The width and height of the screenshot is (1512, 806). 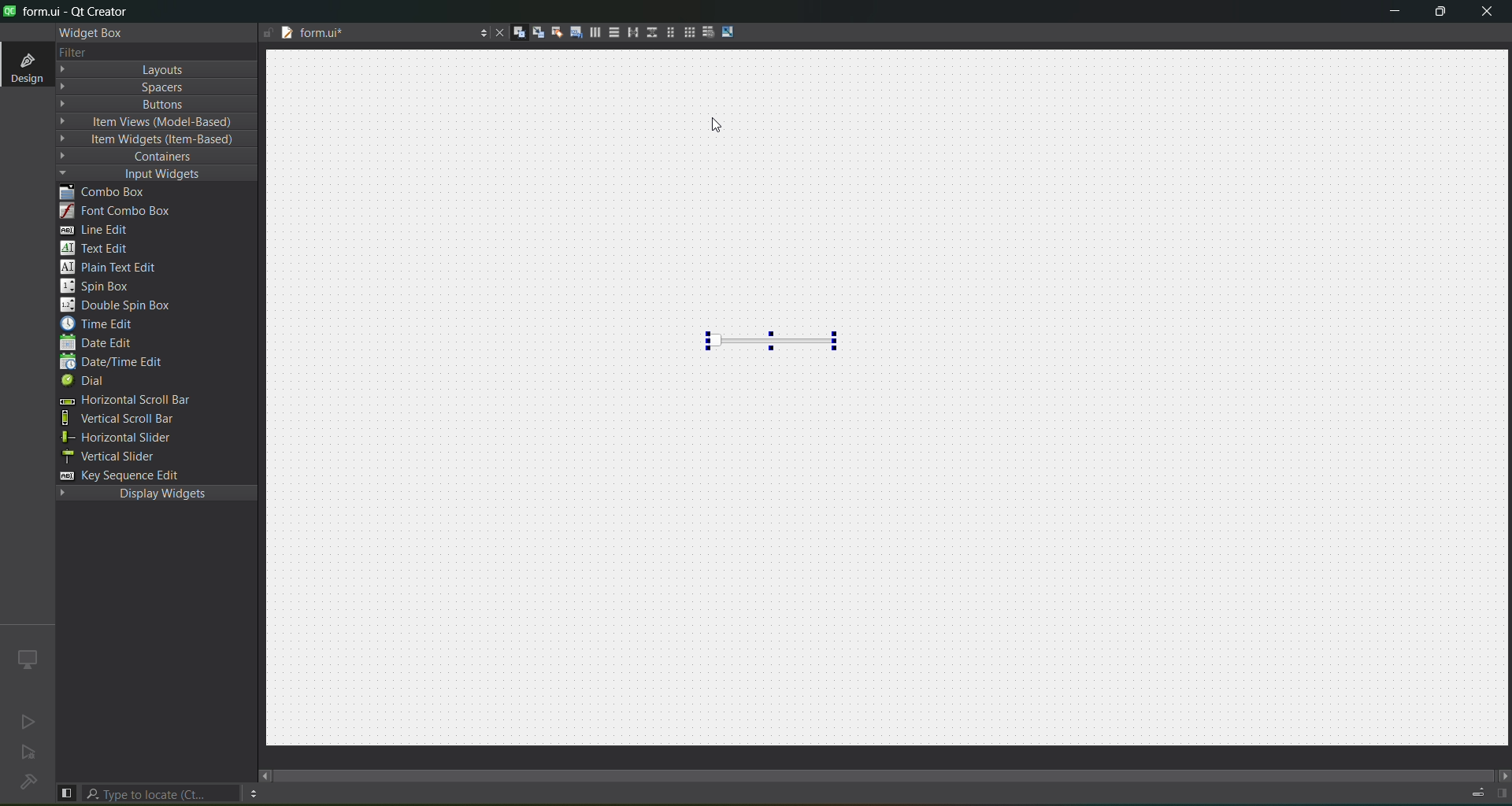 What do you see at coordinates (114, 362) in the screenshot?
I see `date/edit edit` at bounding box center [114, 362].